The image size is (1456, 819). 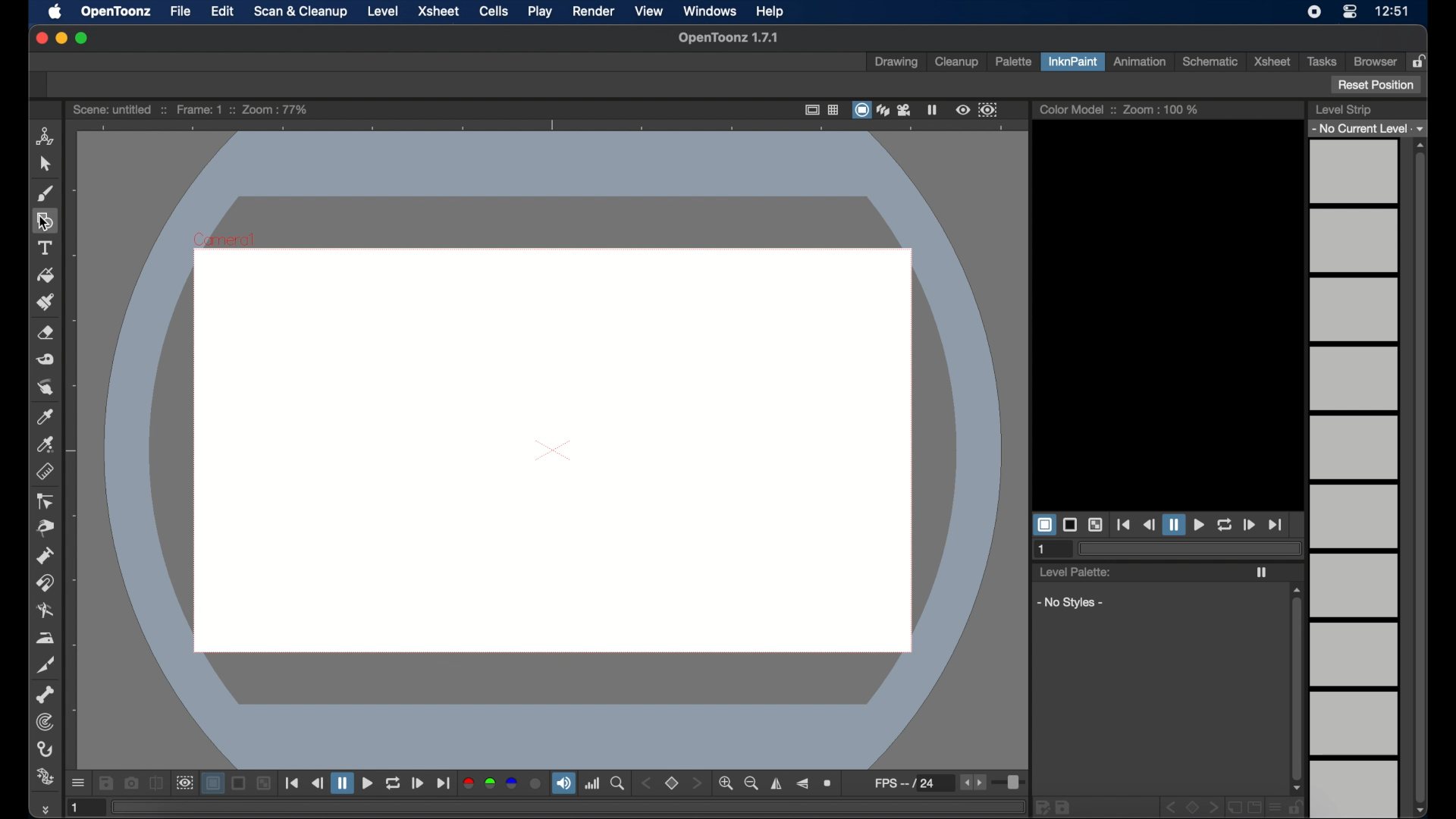 I want to click on animate tool, so click(x=45, y=136).